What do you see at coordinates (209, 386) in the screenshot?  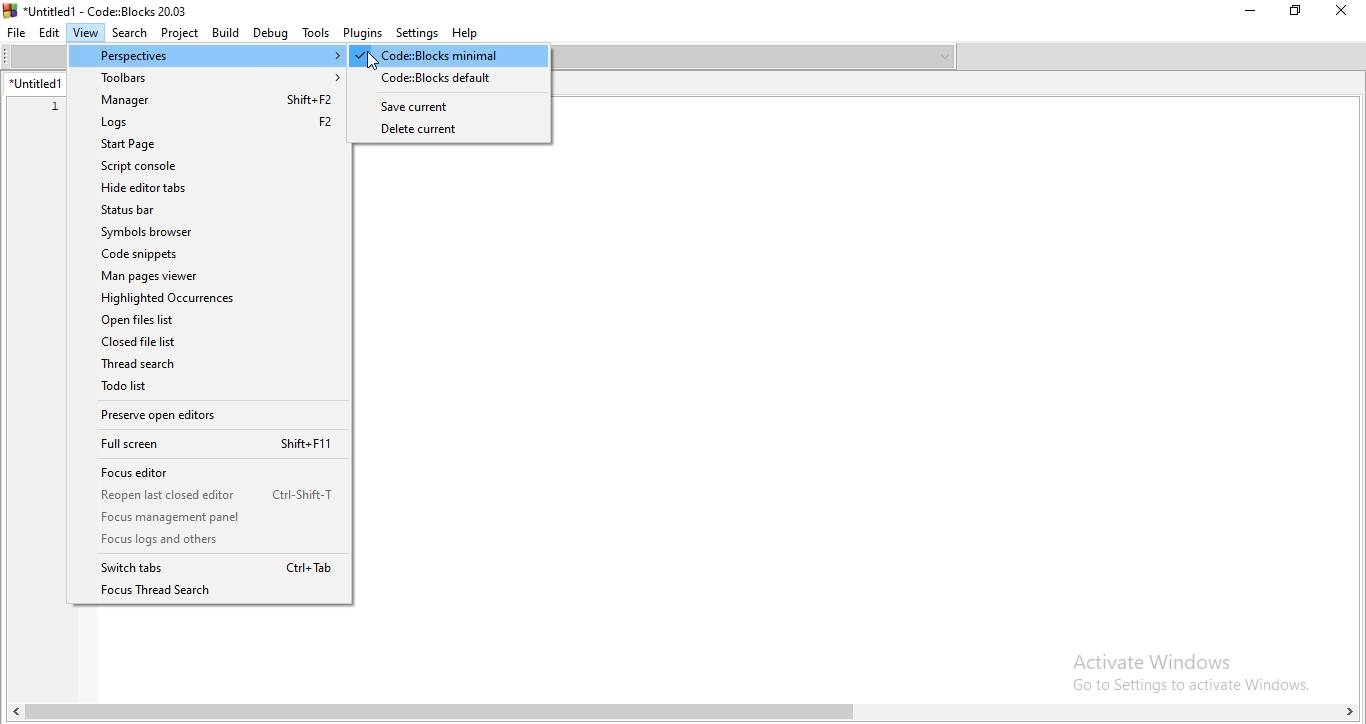 I see `Todo list` at bounding box center [209, 386].